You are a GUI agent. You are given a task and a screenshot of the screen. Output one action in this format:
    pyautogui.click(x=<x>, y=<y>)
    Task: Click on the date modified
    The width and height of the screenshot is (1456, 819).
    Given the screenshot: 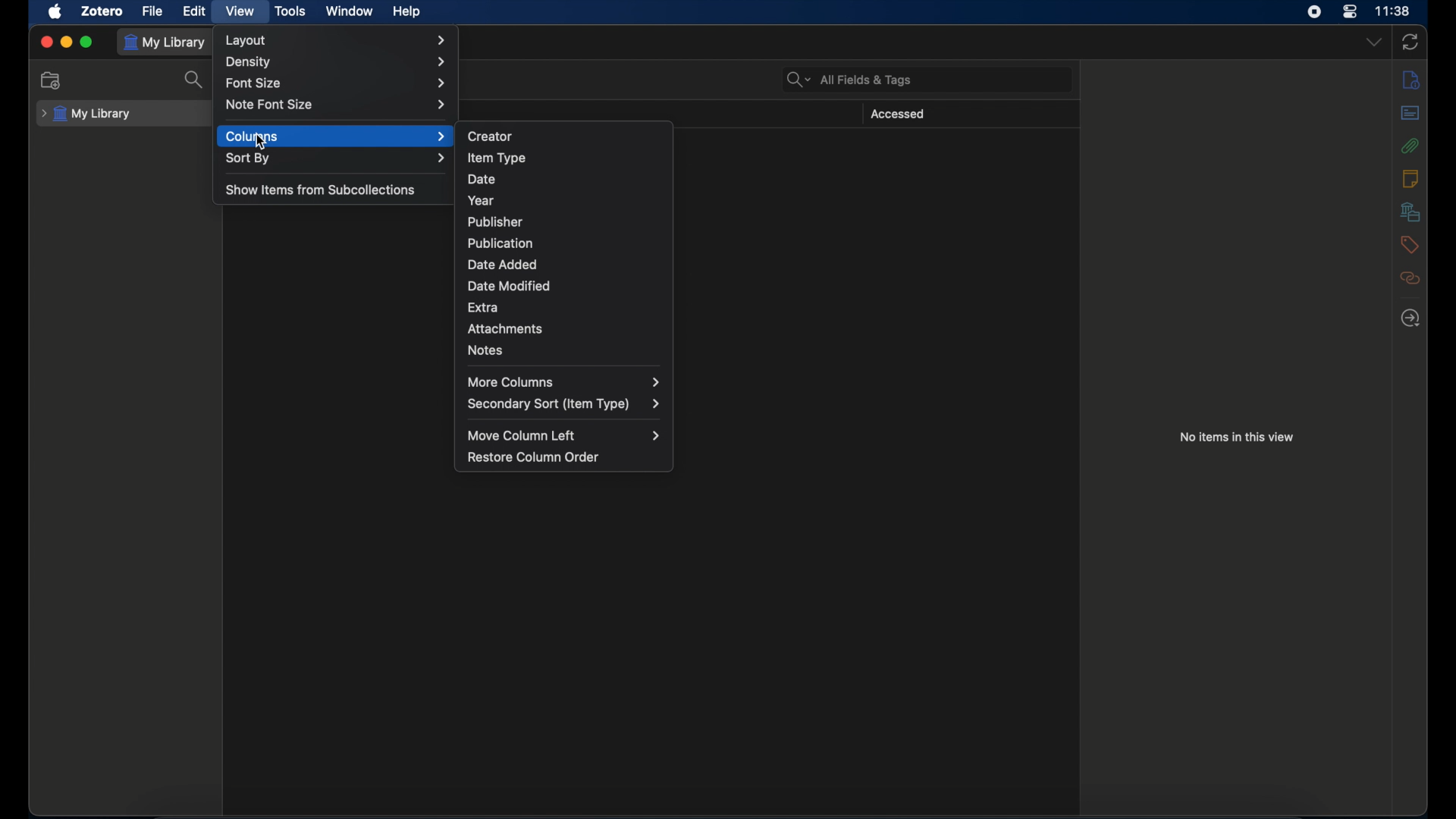 What is the action you would take?
    pyautogui.click(x=510, y=286)
    